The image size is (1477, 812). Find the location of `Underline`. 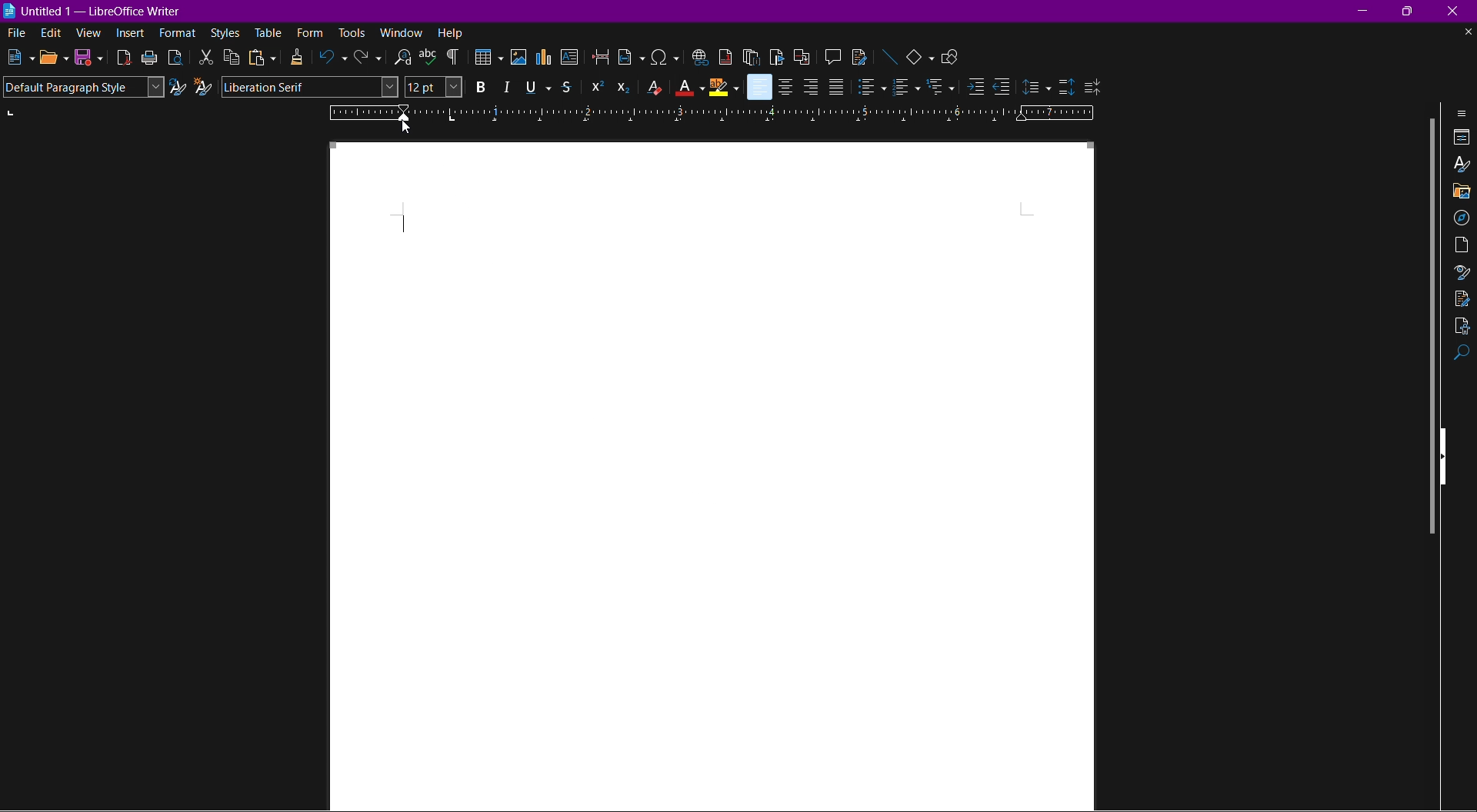

Underline is located at coordinates (537, 86).